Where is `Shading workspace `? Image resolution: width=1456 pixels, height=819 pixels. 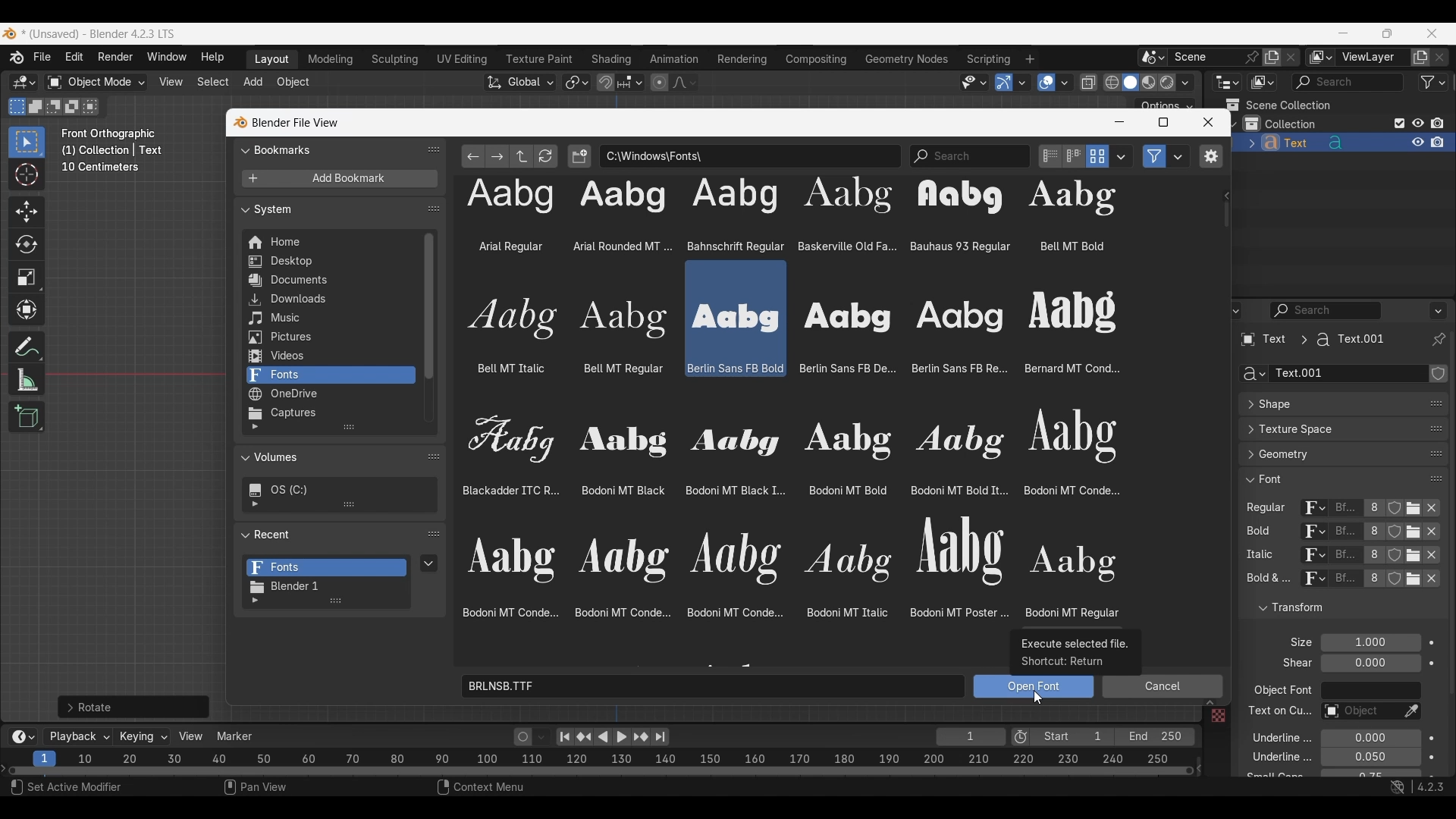
Shading workspace  is located at coordinates (613, 59).